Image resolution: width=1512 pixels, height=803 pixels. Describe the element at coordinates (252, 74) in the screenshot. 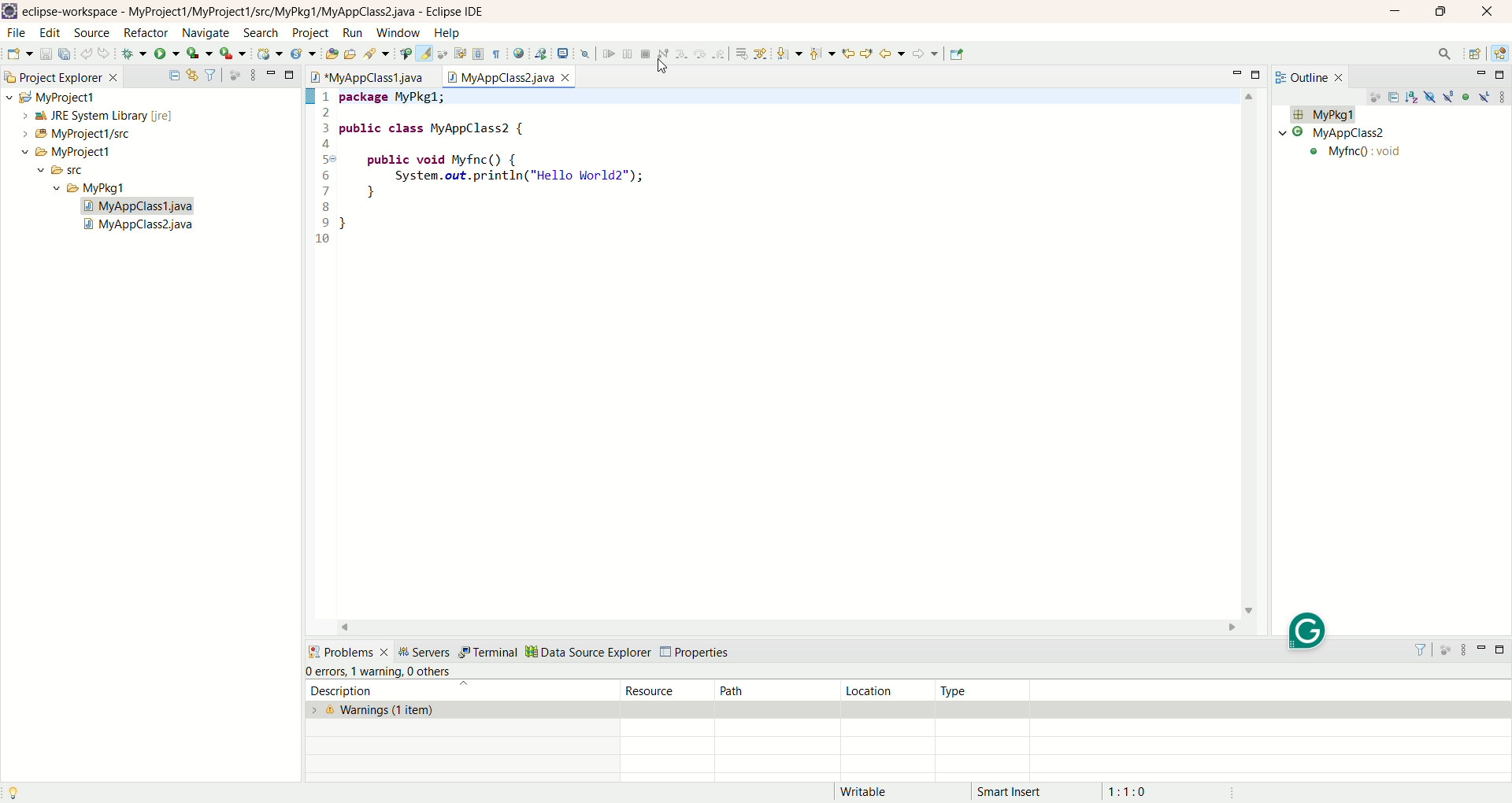

I see `view menu` at that location.